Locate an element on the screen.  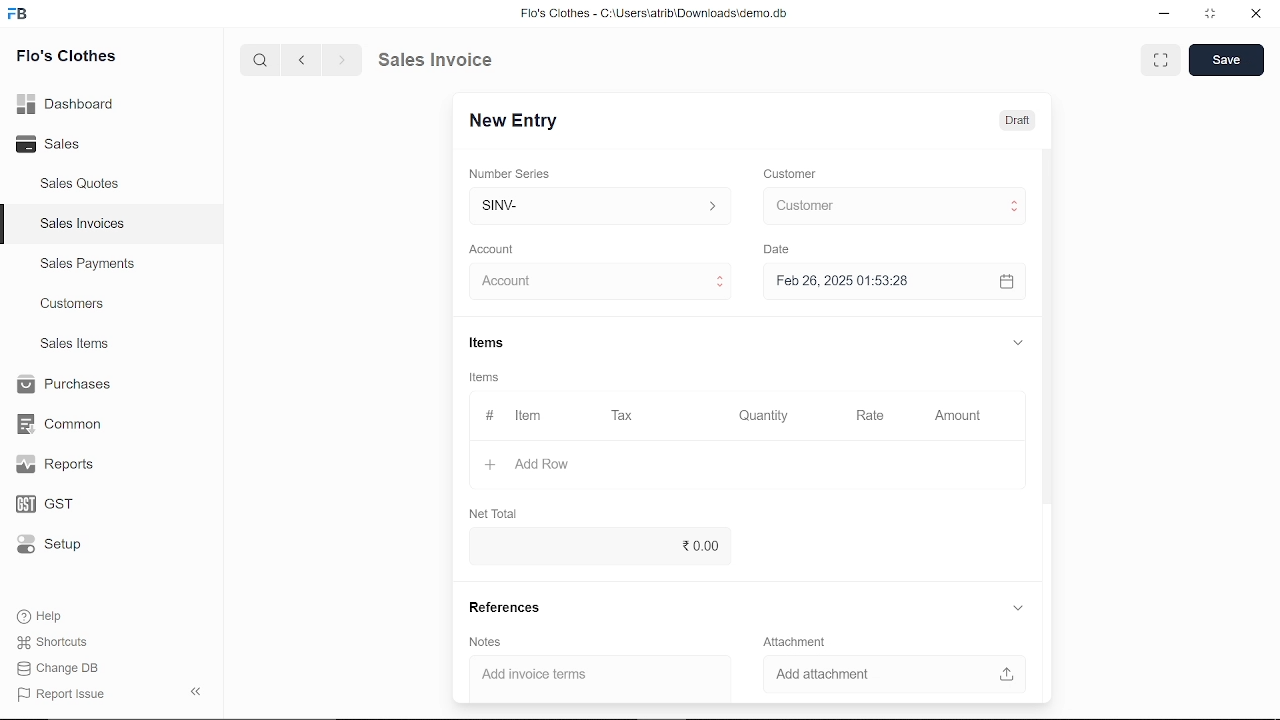
GST is located at coordinates (62, 505).